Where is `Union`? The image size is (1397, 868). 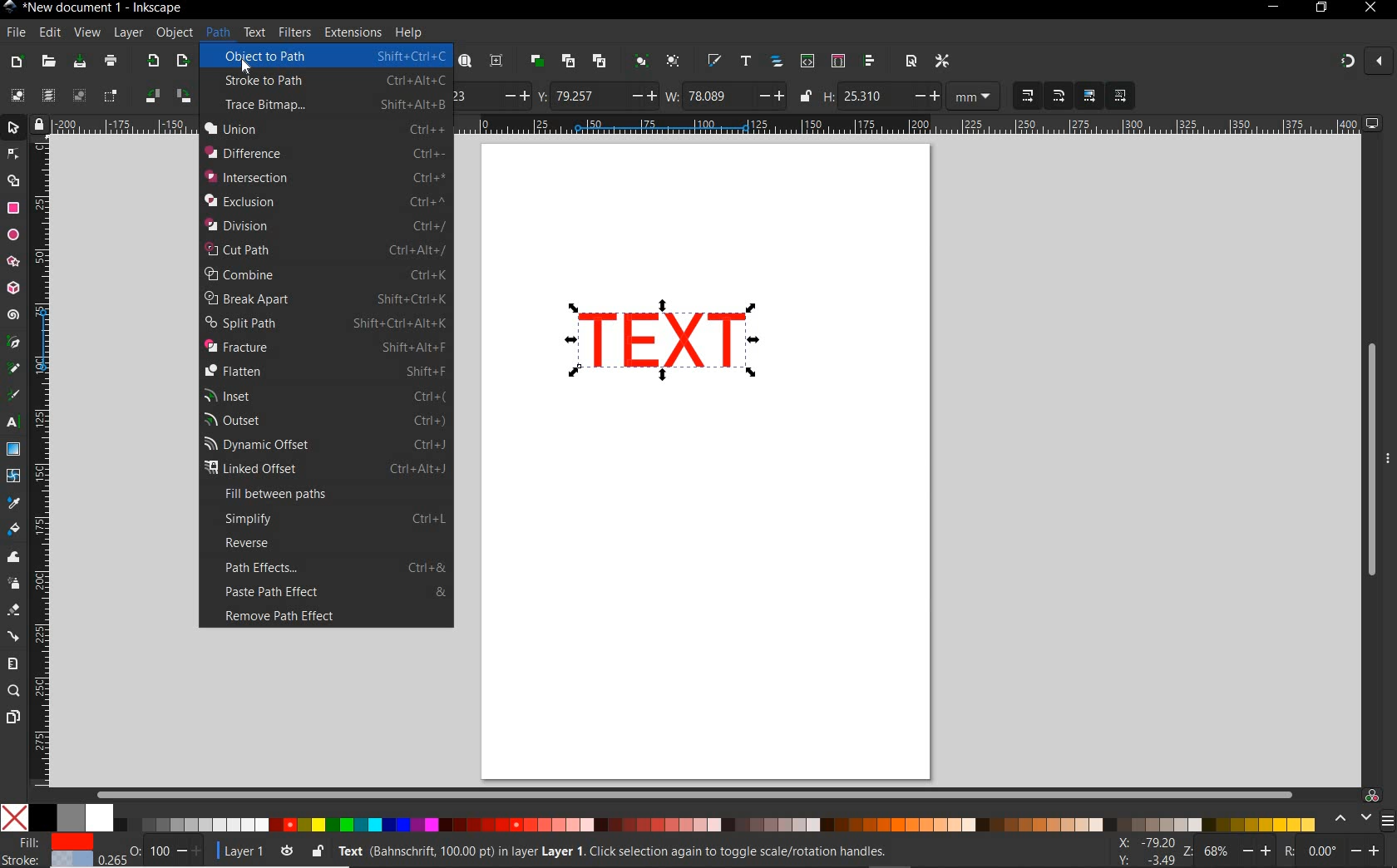 Union is located at coordinates (323, 129).